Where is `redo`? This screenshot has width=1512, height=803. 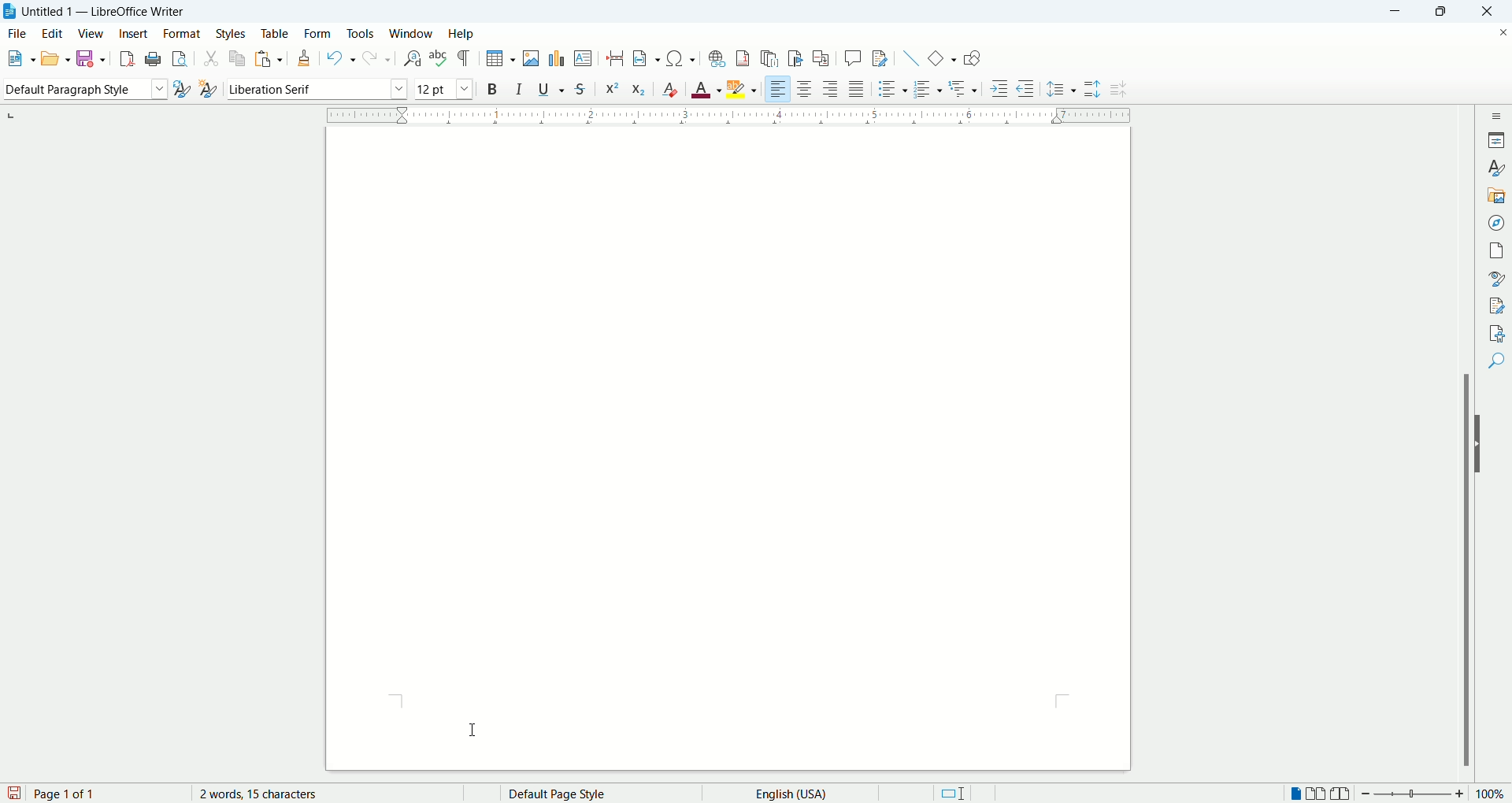 redo is located at coordinates (375, 59).